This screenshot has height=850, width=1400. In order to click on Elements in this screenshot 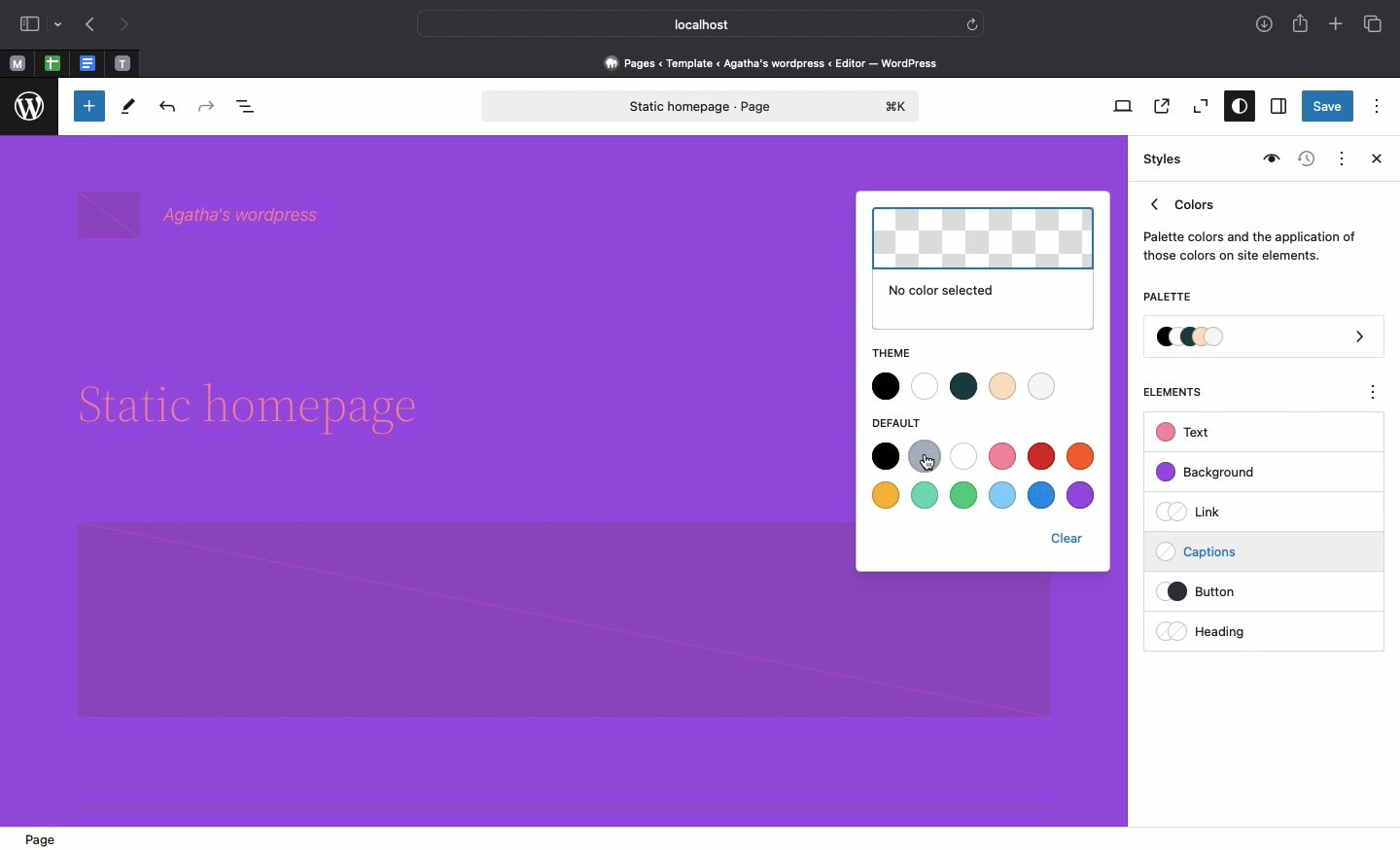, I will do `click(1183, 392)`.